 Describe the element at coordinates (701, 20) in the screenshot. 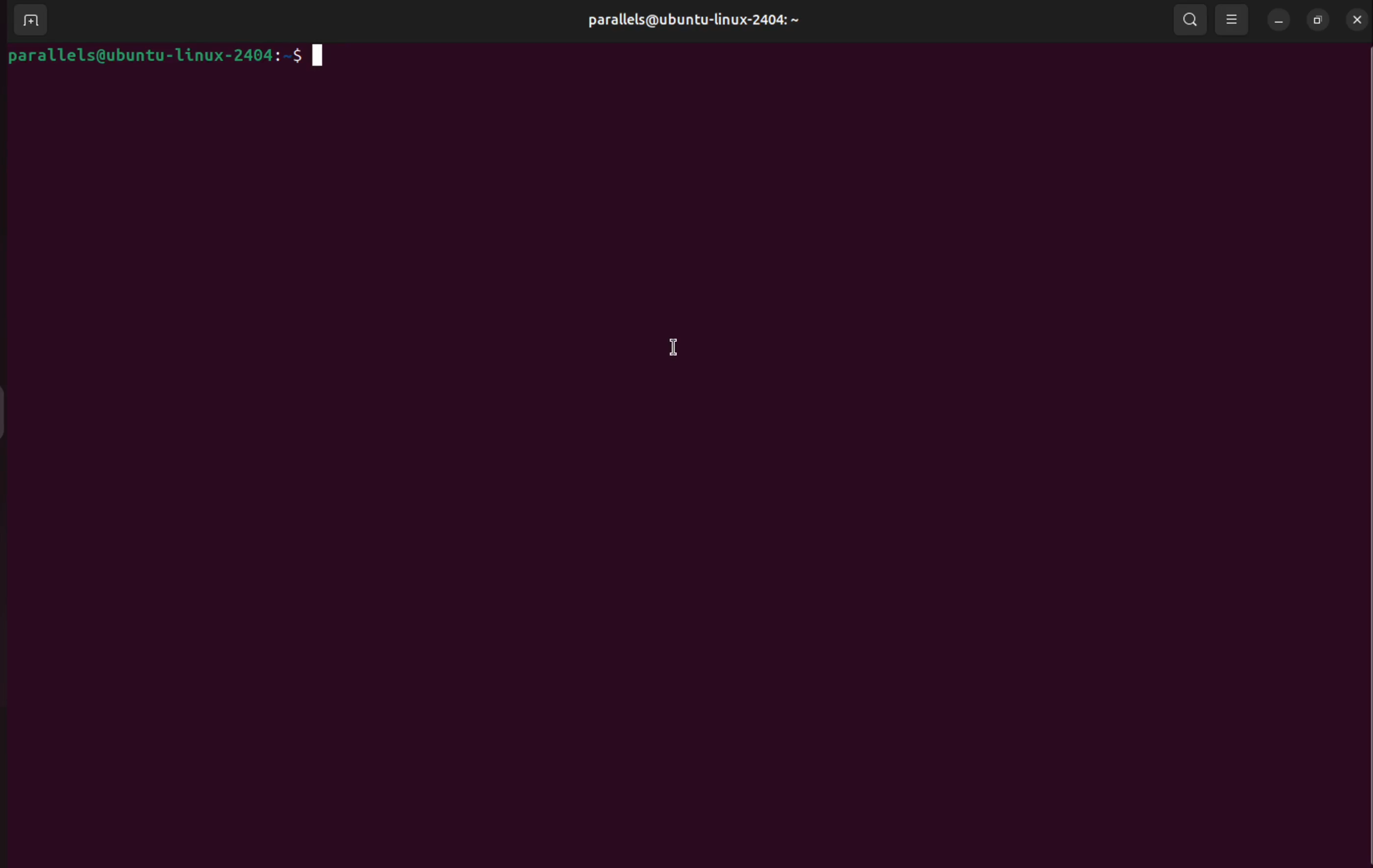

I see `user profile` at that location.